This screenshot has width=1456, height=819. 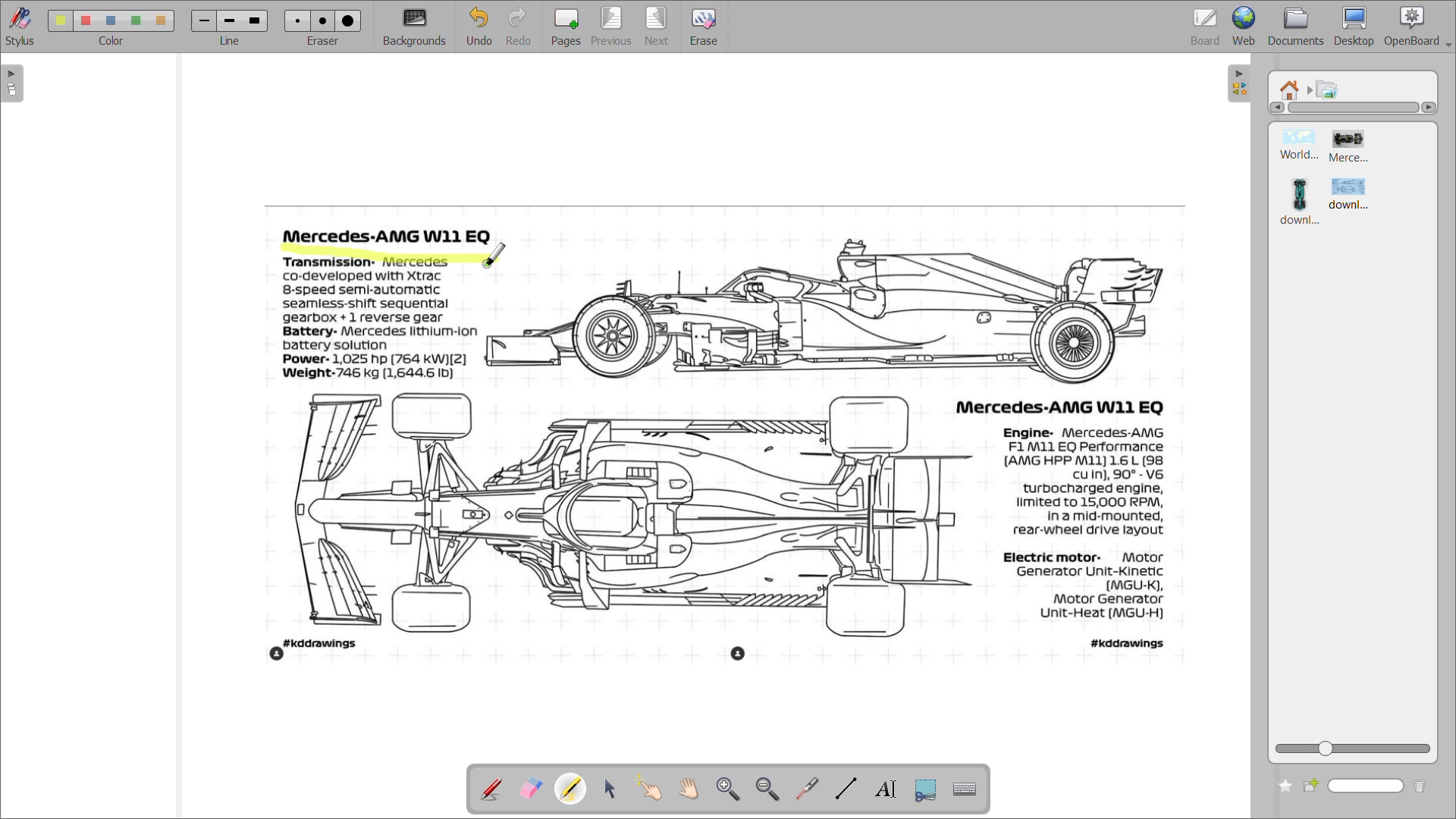 What do you see at coordinates (1302, 145) in the screenshot?
I see `image 1` at bounding box center [1302, 145].